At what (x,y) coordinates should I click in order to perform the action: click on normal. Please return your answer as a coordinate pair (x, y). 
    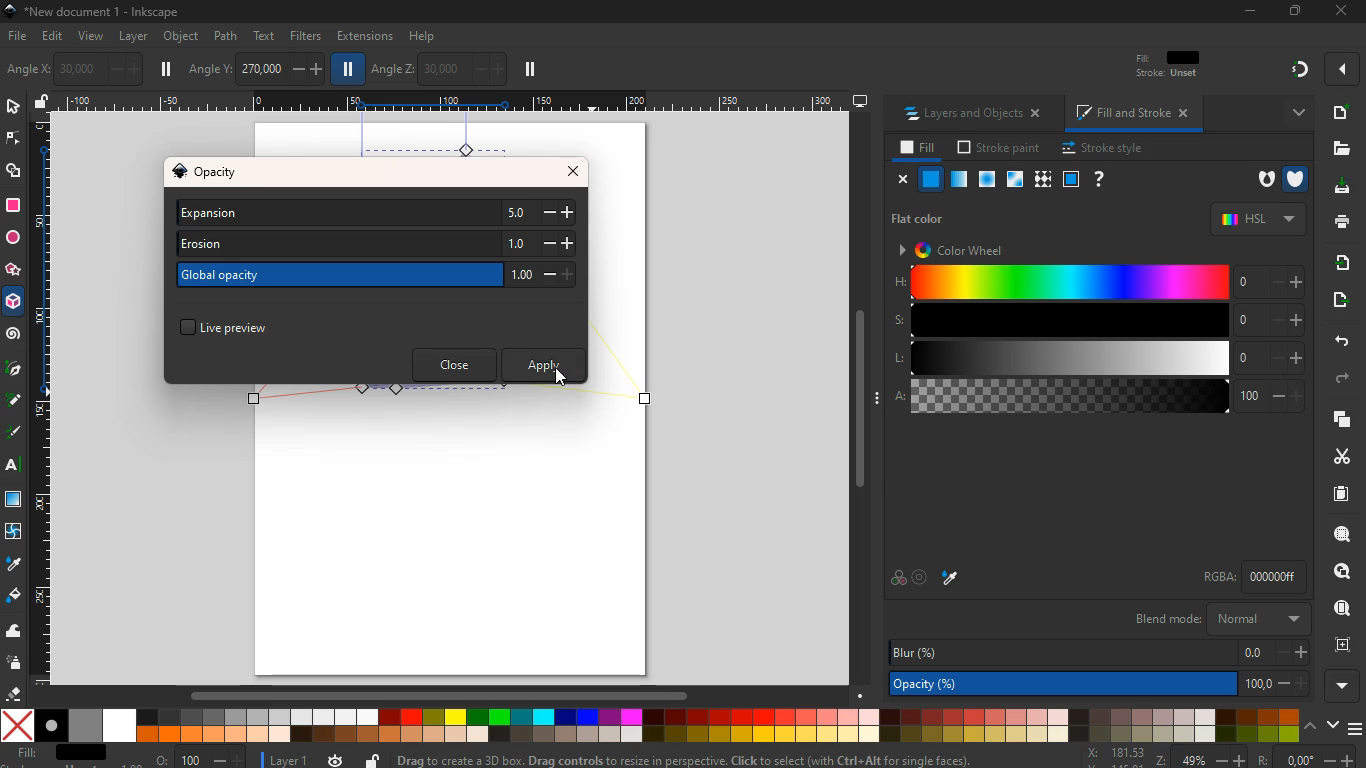
    Looking at the image, I should click on (932, 180).